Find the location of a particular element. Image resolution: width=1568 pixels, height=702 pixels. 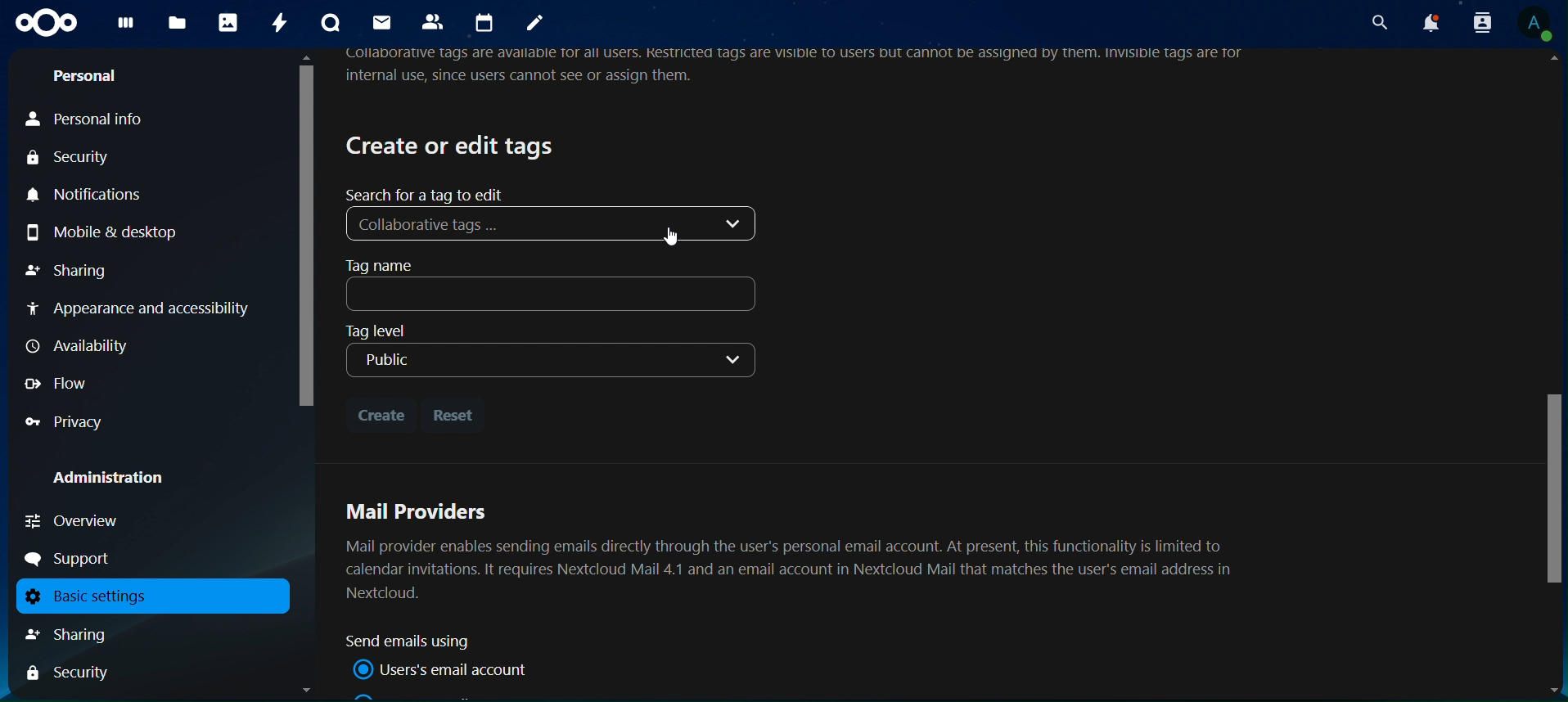

create is located at coordinates (381, 412).